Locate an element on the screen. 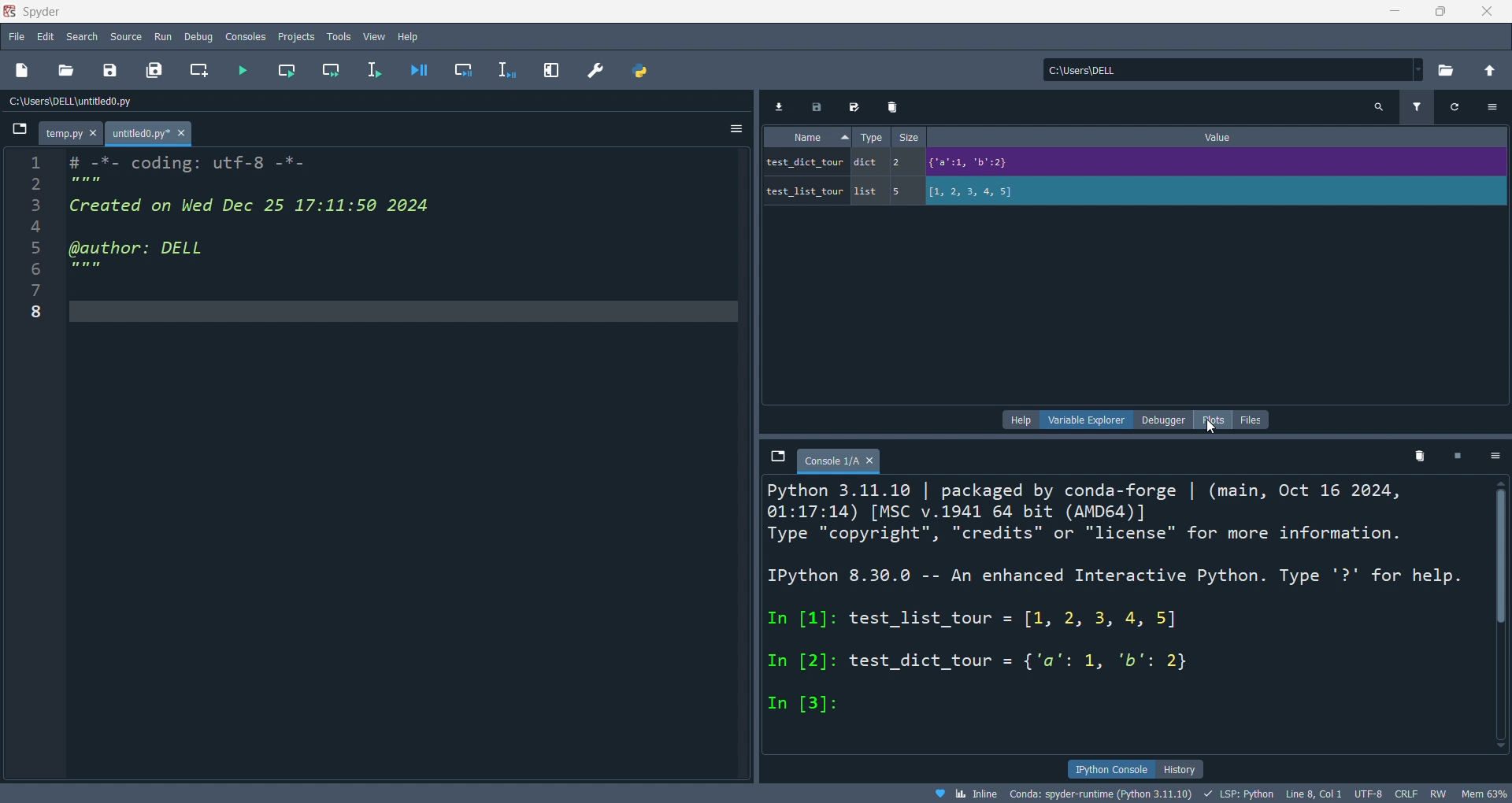 Image resolution: width=1512 pixels, height=803 pixels. cursor is located at coordinates (1210, 428).